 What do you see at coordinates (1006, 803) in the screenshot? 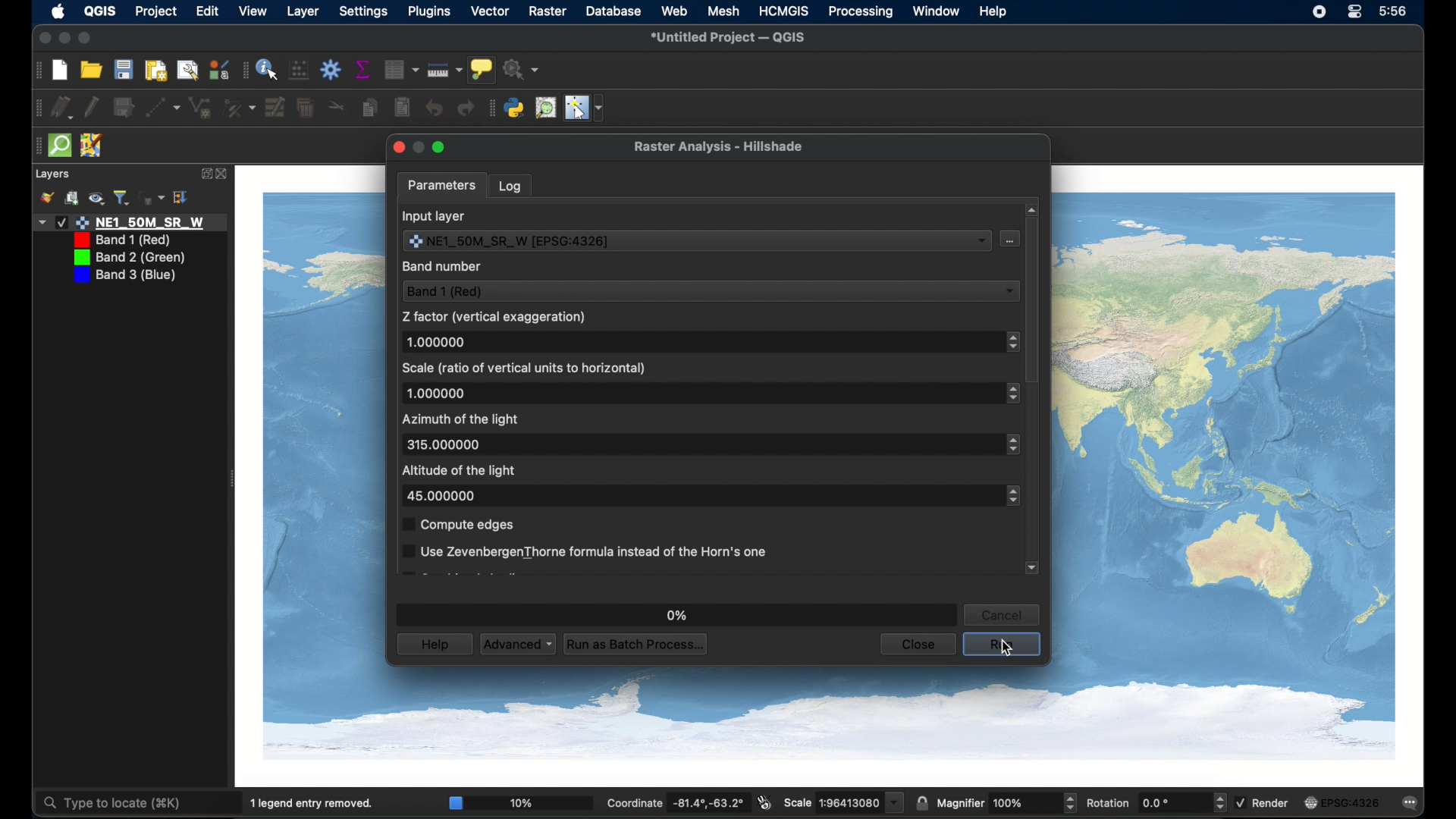
I see `magnifier` at bounding box center [1006, 803].